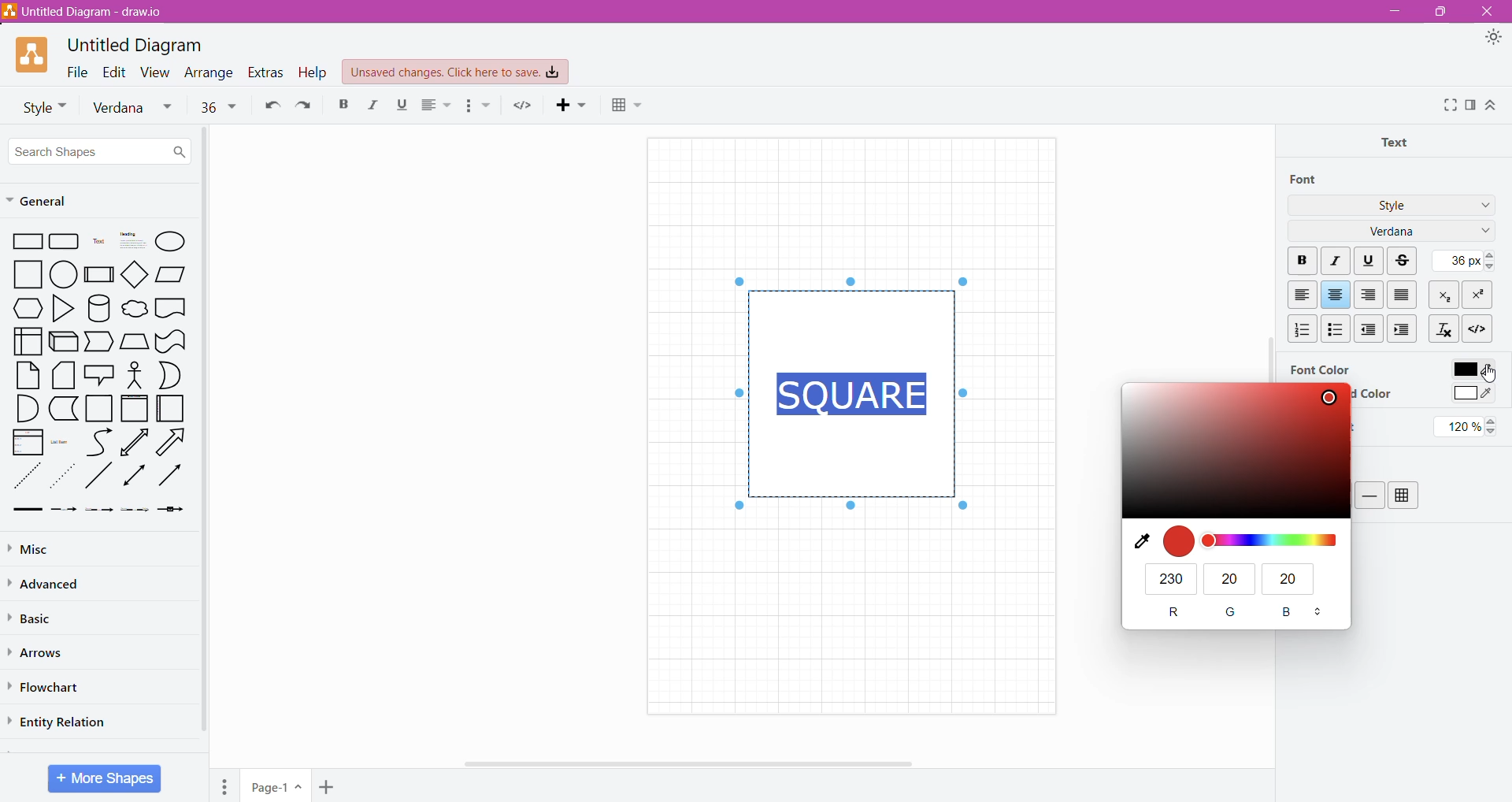 The height and width of the screenshot is (802, 1512). Describe the element at coordinates (1491, 105) in the screenshot. I see `Expand/Collapse` at that location.